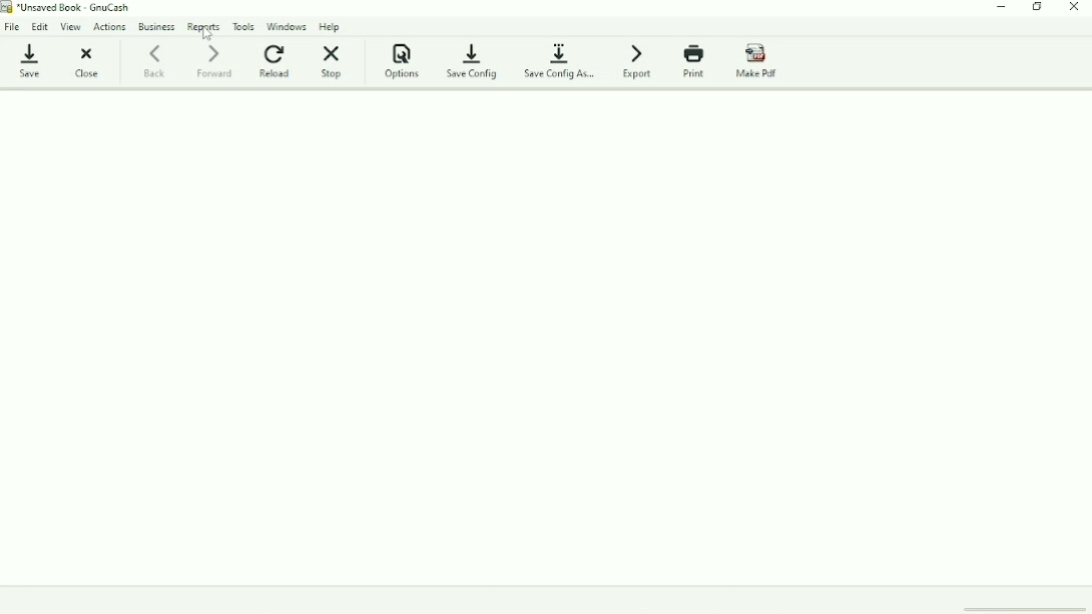  I want to click on Restore down, so click(1038, 7).